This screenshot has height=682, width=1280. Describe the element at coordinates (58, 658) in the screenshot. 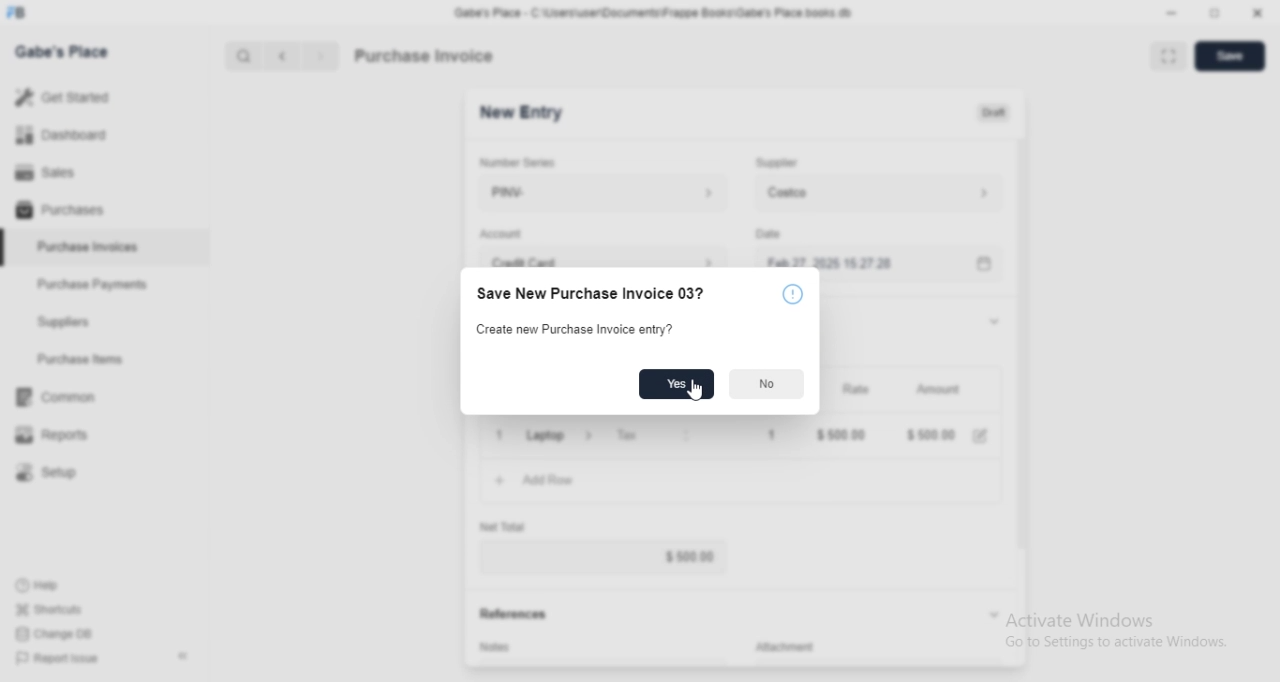

I see `Report Issue` at that location.